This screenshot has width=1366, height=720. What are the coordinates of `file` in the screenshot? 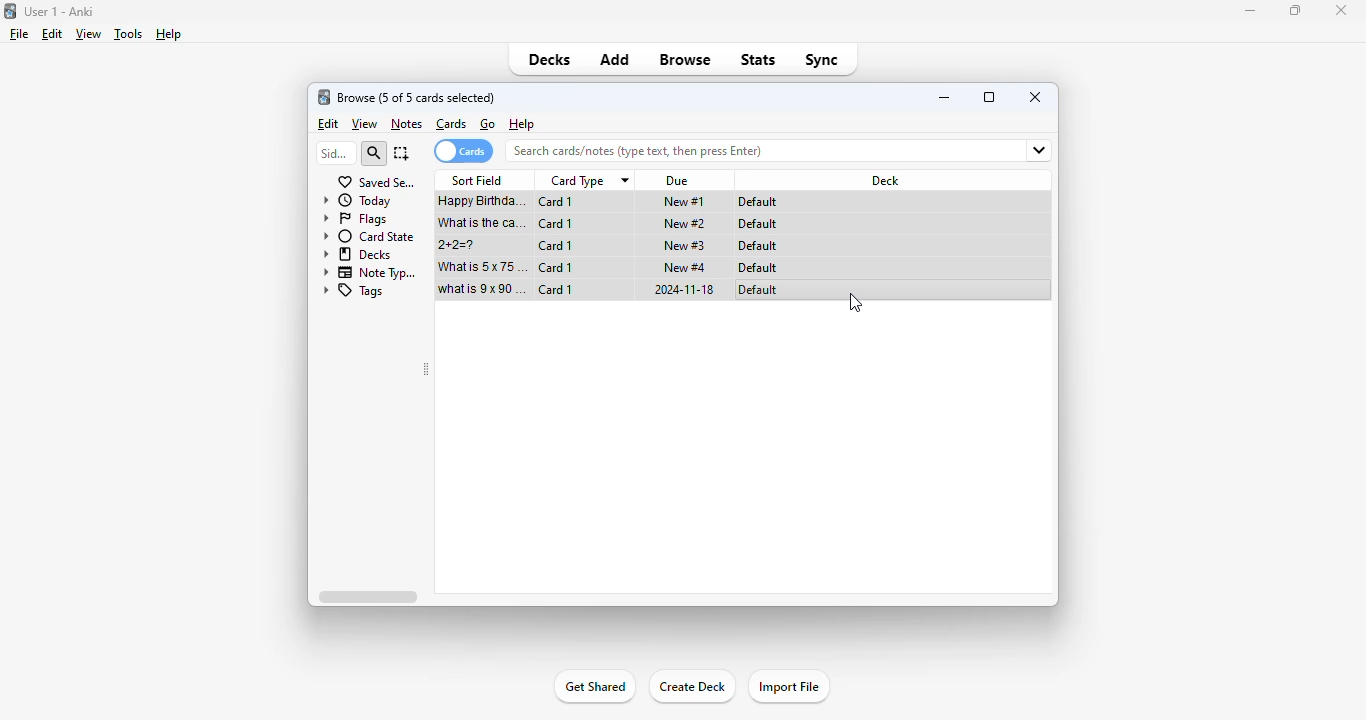 It's located at (19, 34).